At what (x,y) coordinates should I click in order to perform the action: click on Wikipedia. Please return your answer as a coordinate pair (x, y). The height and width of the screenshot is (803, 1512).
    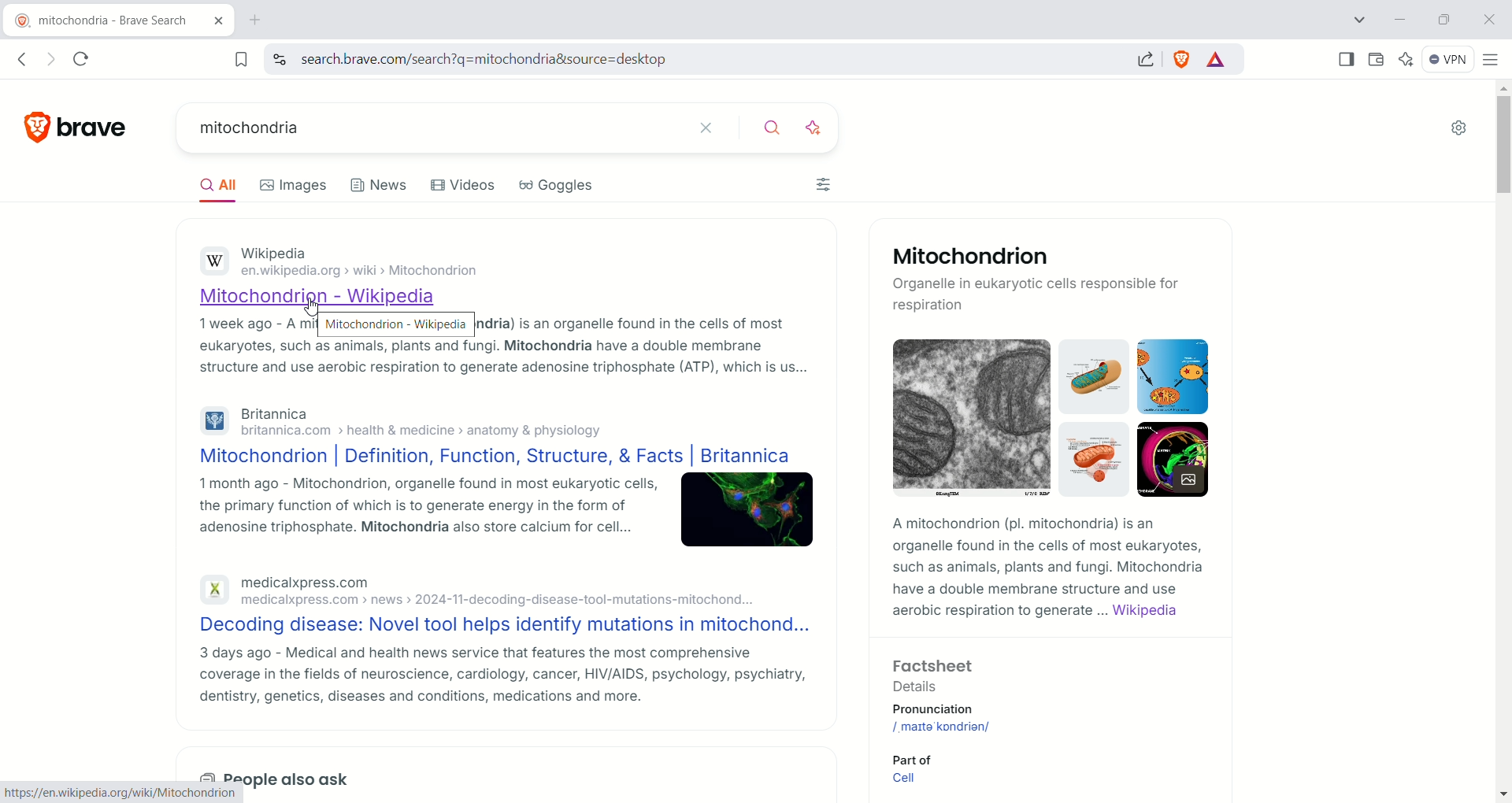
    Looking at the image, I should click on (1159, 609).